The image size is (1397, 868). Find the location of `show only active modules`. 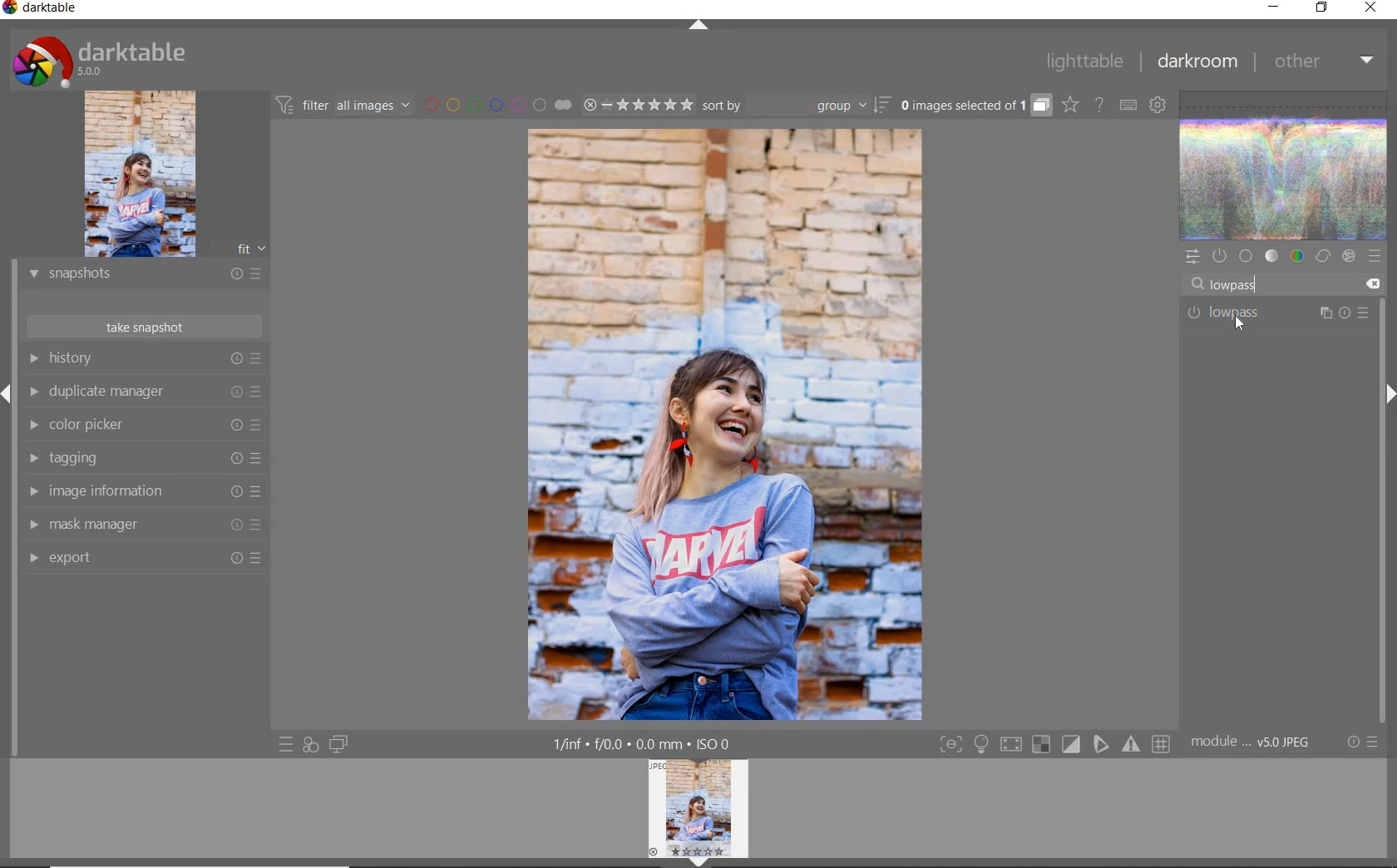

show only active modules is located at coordinates (1220, 257).